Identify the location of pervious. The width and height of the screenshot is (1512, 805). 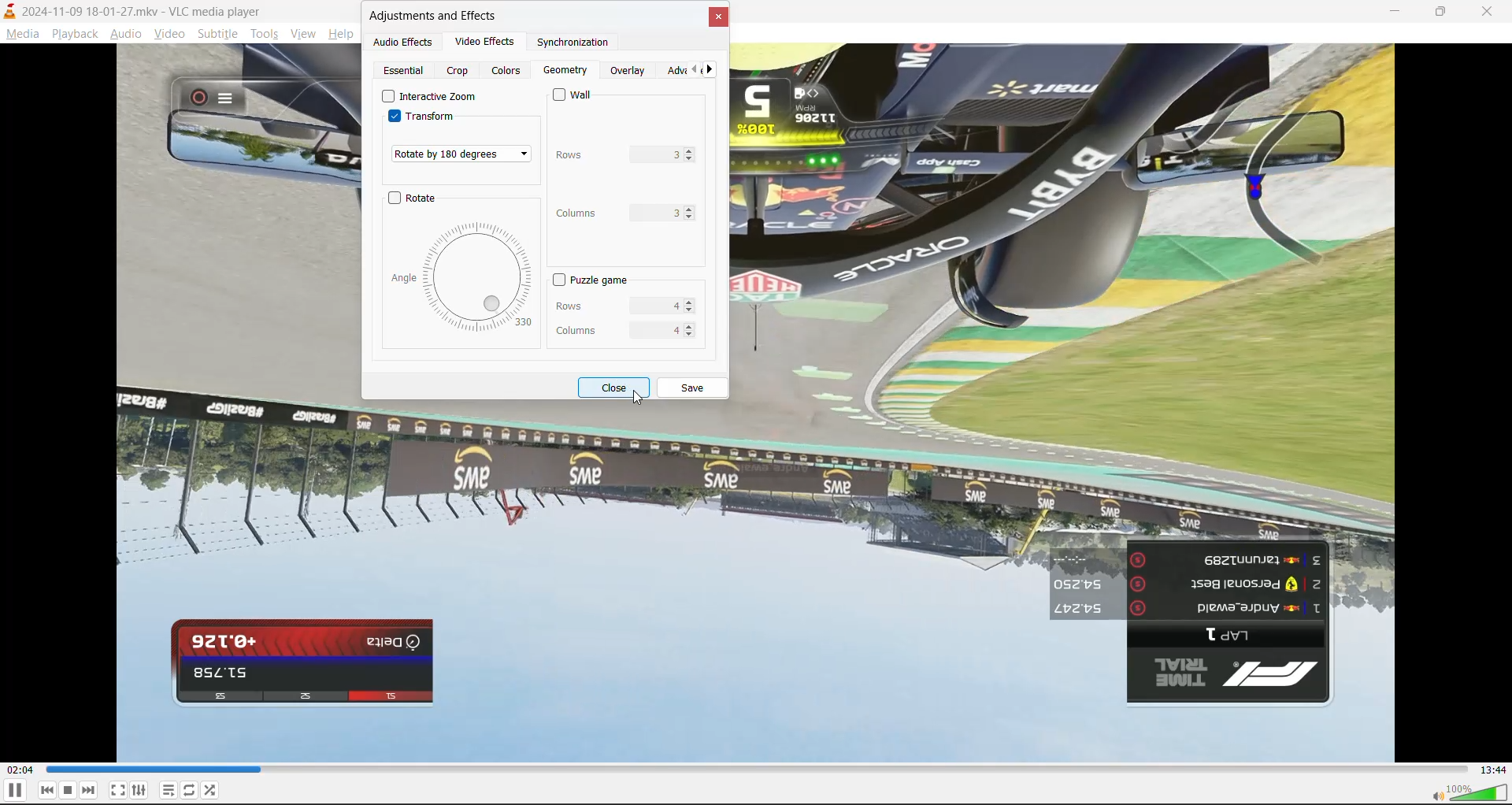
(698, 71).